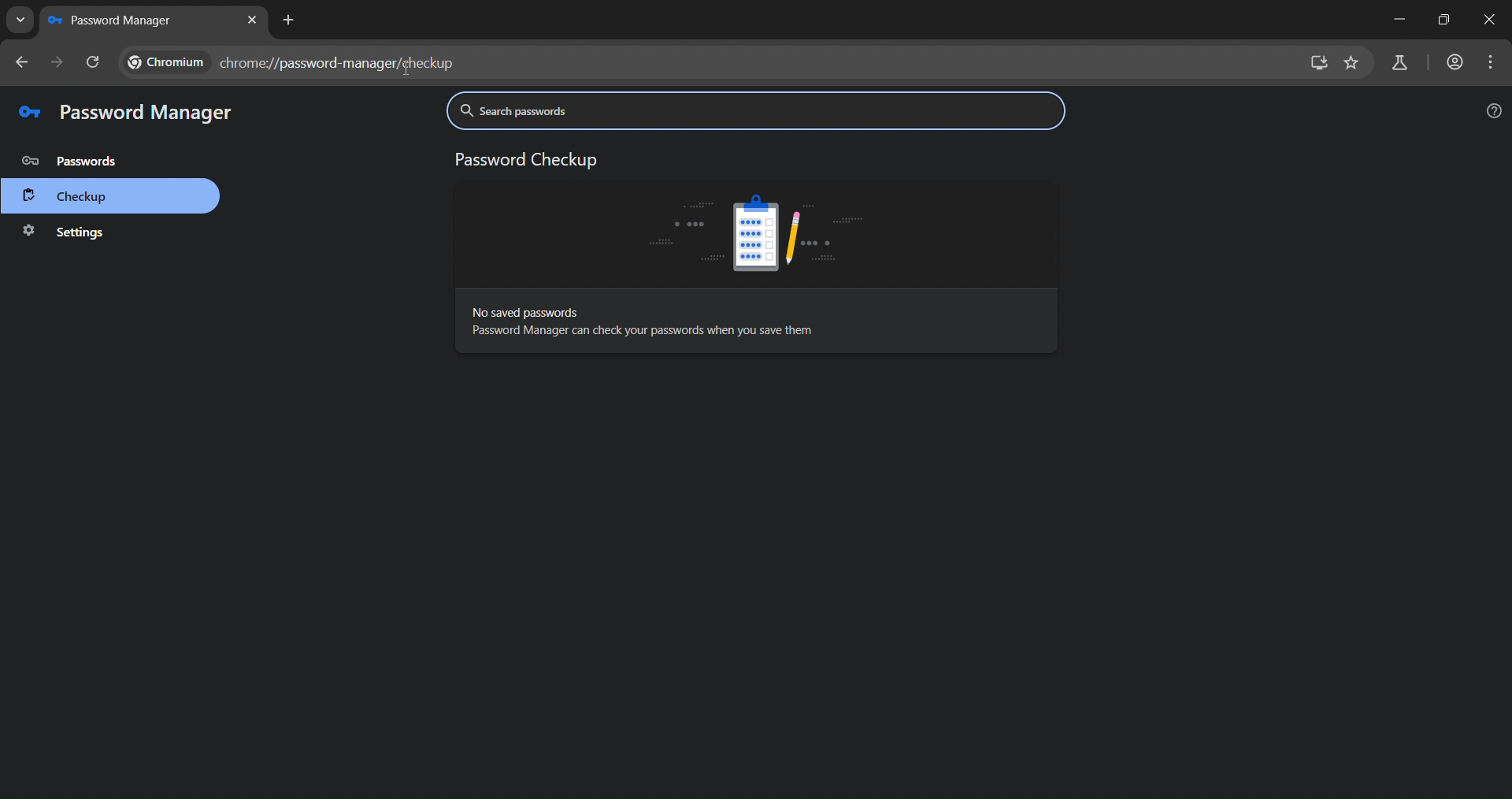  I want to click on bookmark page, so click(1355, 64).